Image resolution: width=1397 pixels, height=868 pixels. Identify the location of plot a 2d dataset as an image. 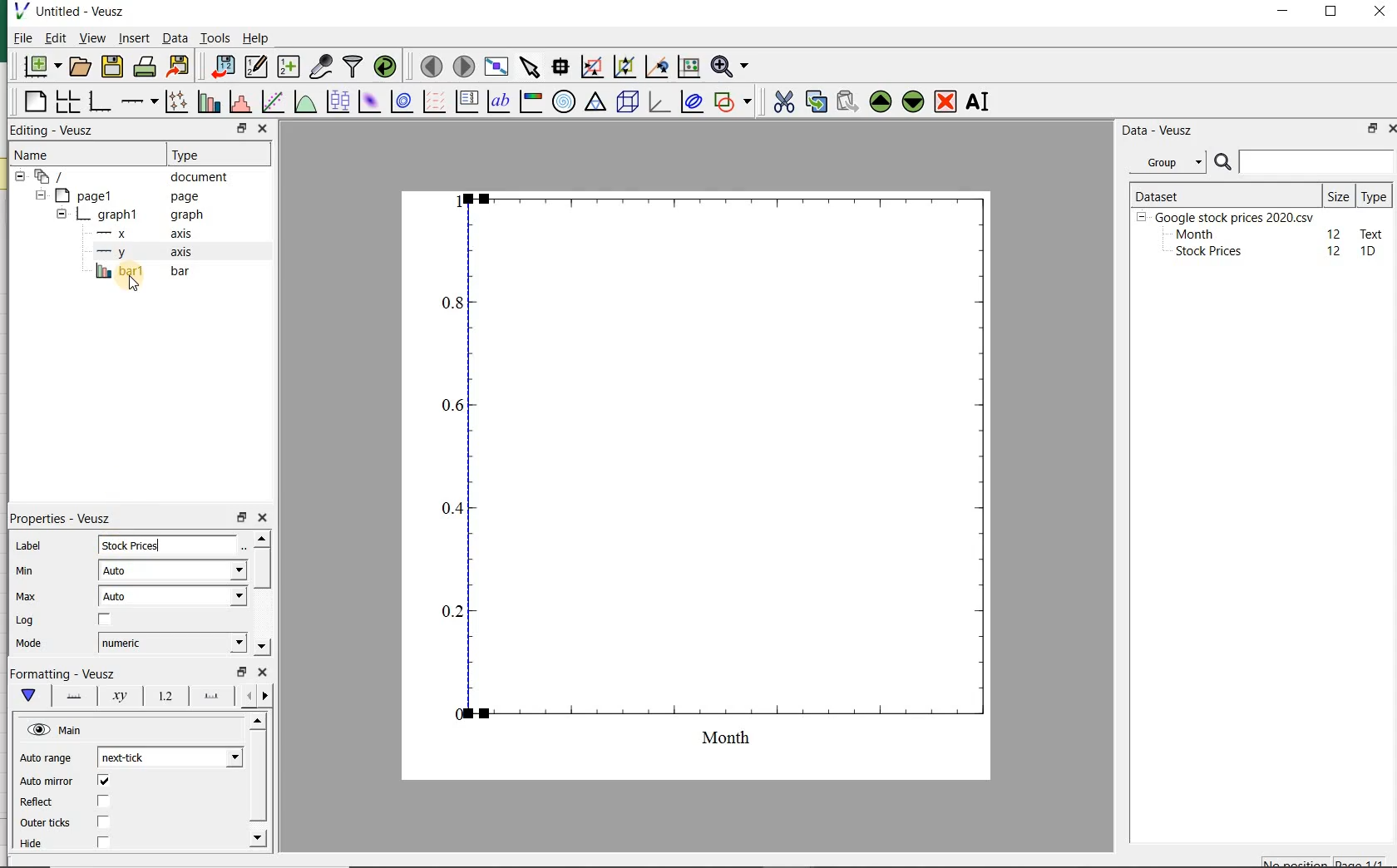
(368, 101).